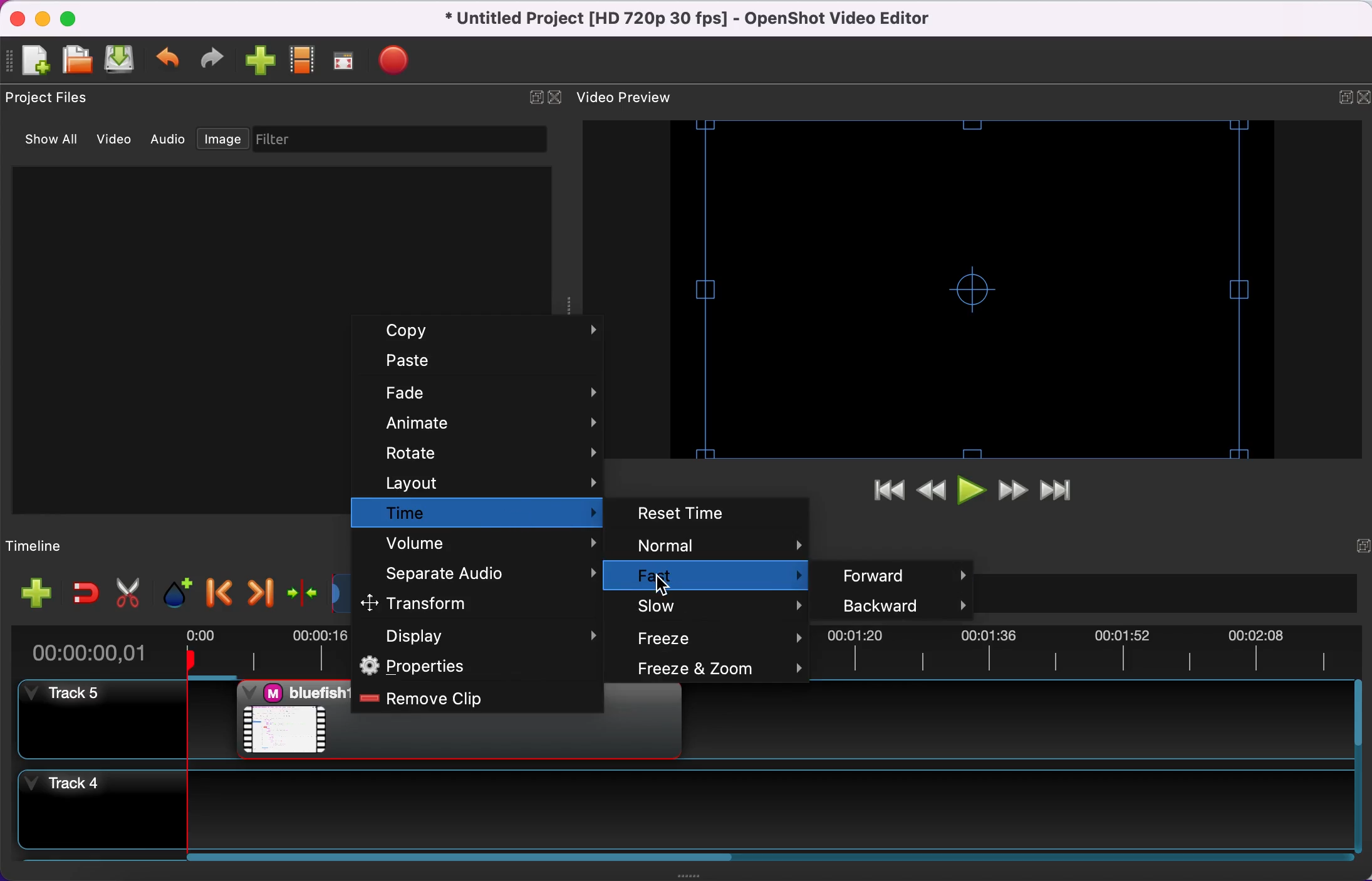 The width and height of the screenshot is (1372, 881). What do you see at coordinates (302, 595) in the screenshot?
I see `center the timeline` at bounding box center [302, 595].